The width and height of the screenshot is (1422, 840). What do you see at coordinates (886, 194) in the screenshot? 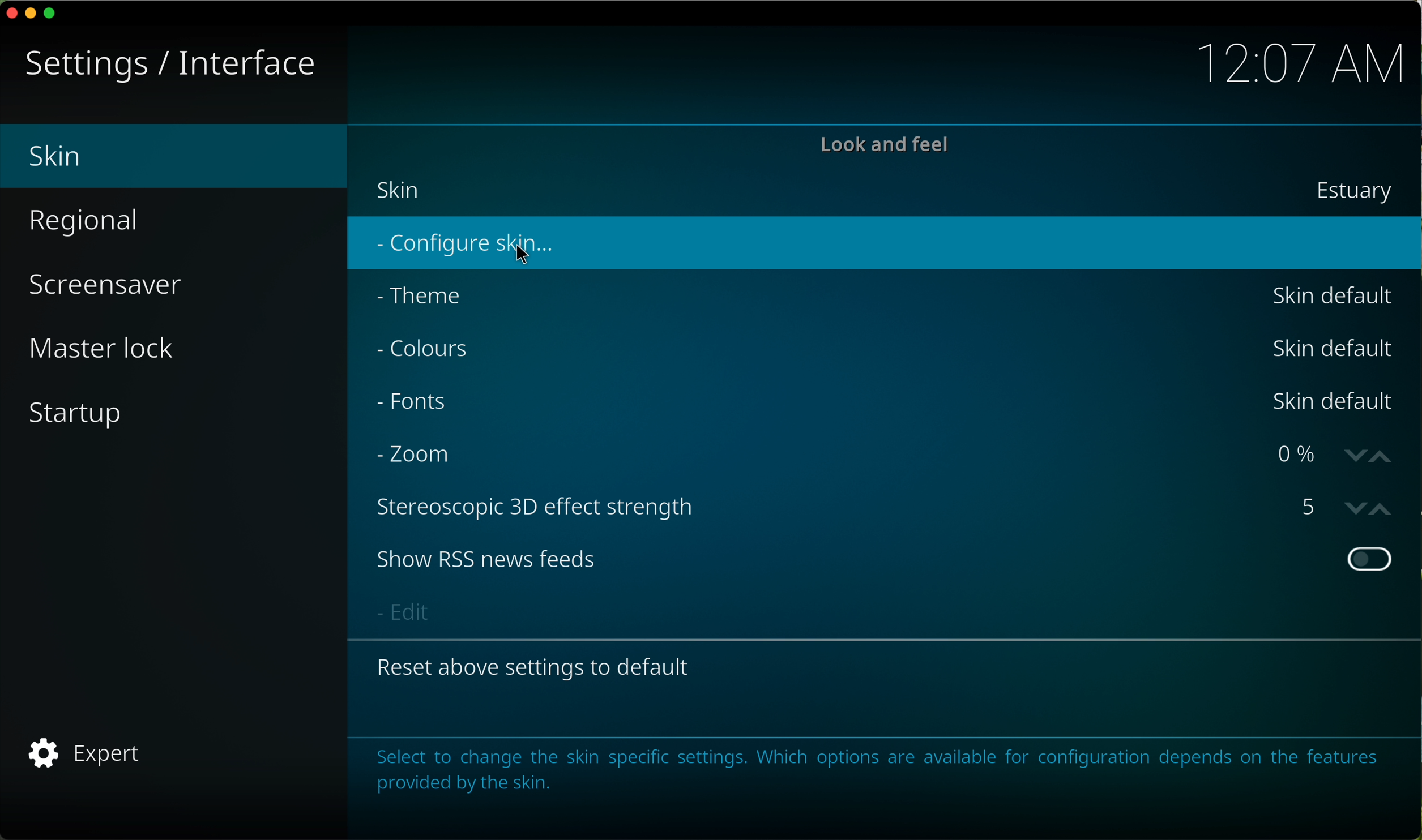
I see `skin` at bounding box center [886, 194].